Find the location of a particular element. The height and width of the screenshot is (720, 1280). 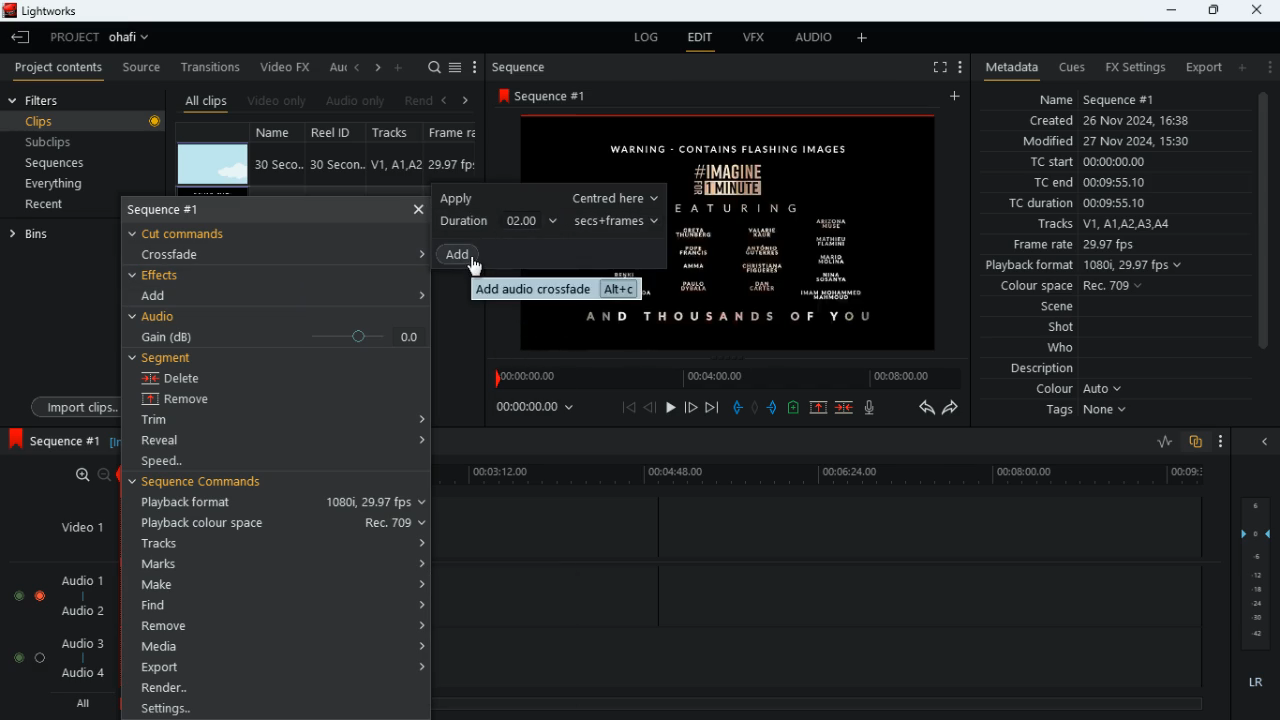

back is located at coordinates (650, 408).